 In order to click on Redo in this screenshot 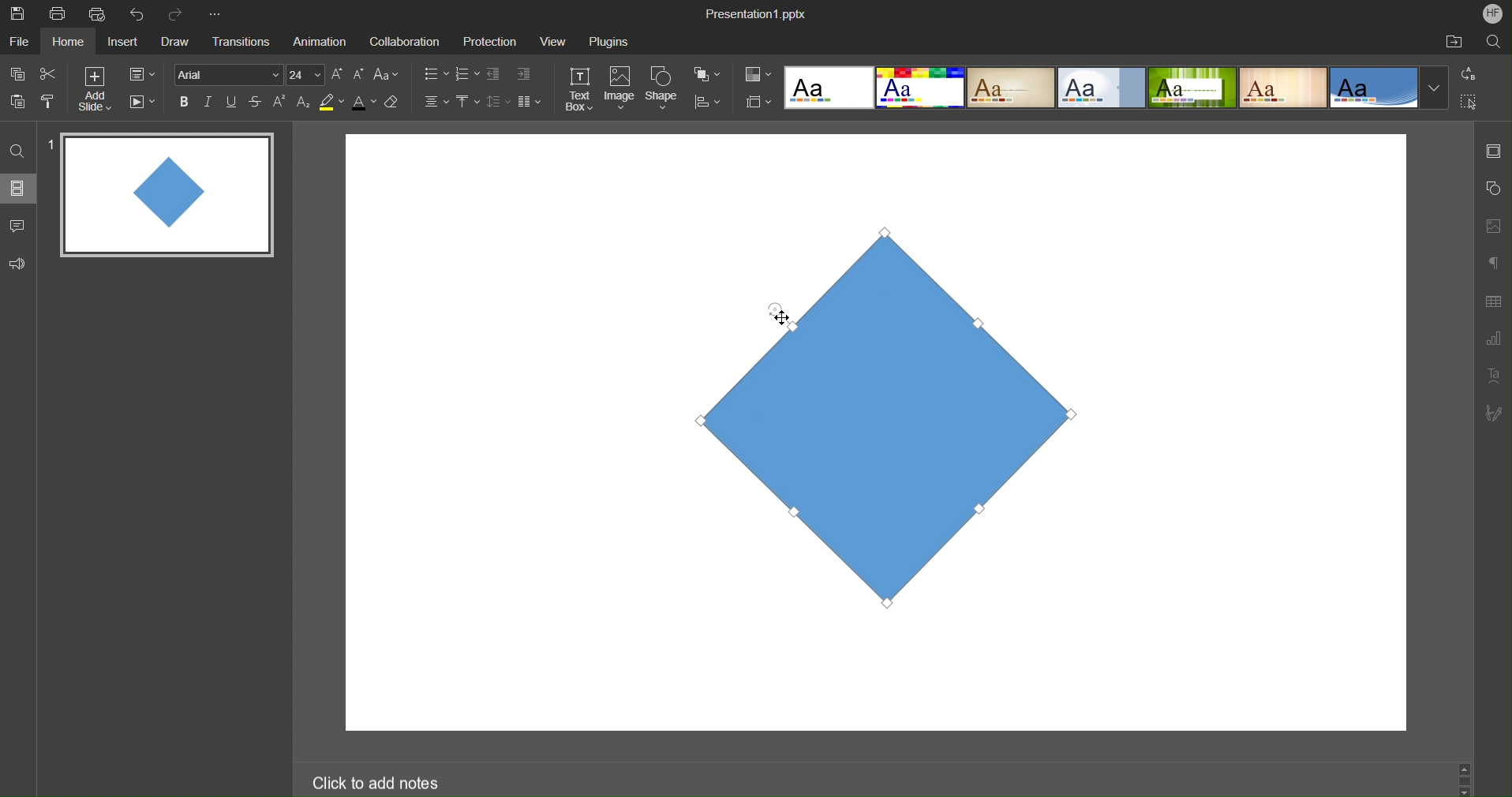, I will do `click(176, 11)`.